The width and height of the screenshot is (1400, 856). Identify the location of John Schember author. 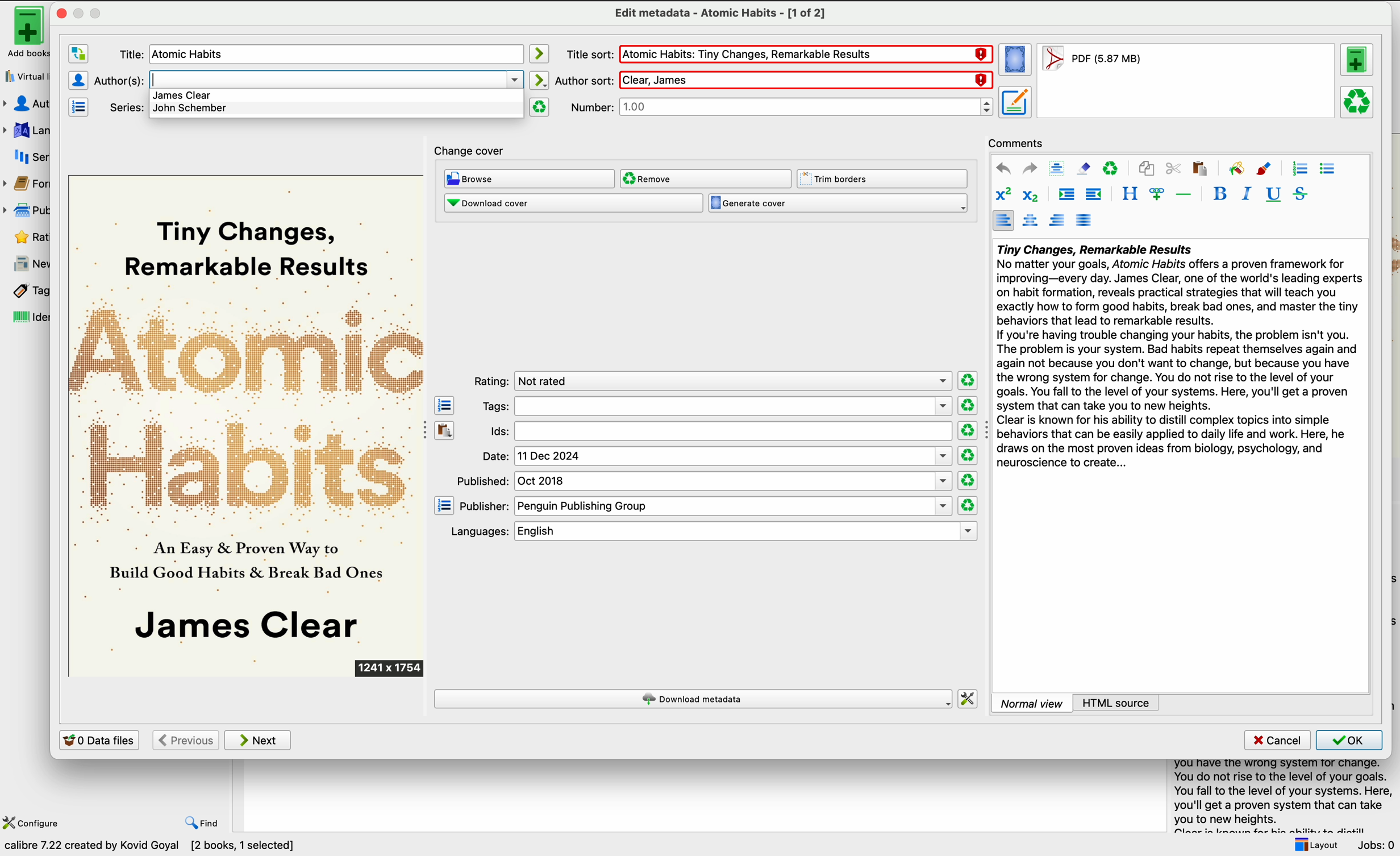
(193, 110).